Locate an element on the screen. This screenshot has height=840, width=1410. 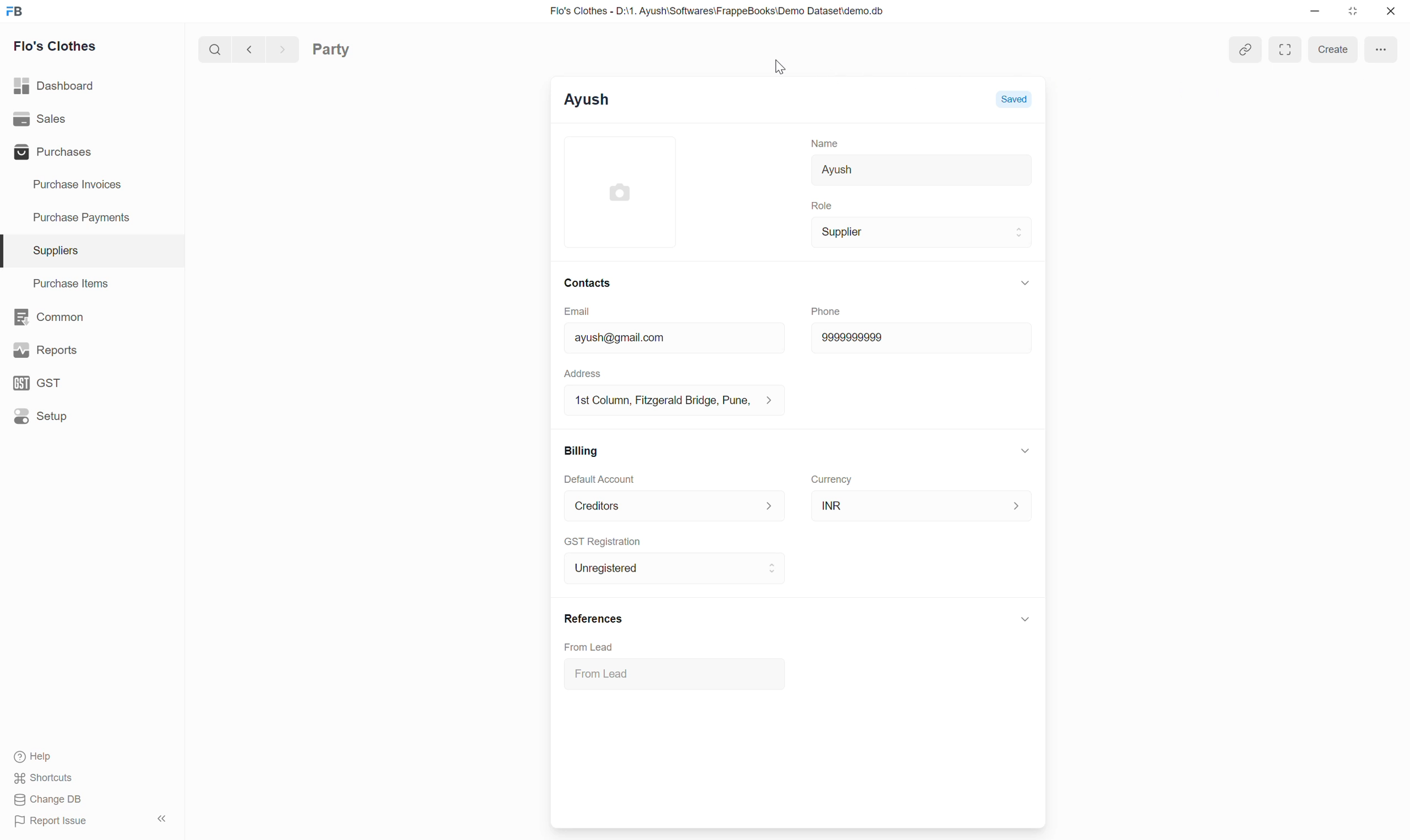
Change dimension is located at coordinates (1353, 11).